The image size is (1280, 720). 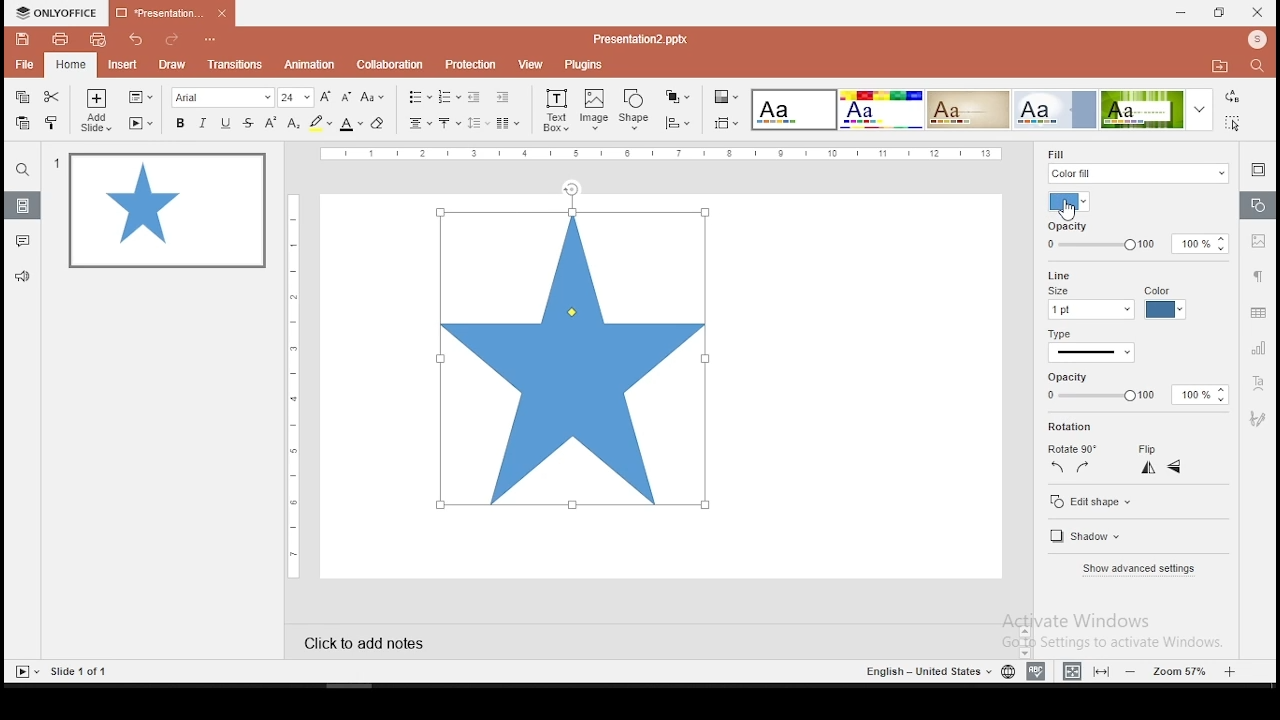 What do you see at coordinates (1090, 501) in the screenshot?
I see `edit shape` at bounding box center [1090, 501].